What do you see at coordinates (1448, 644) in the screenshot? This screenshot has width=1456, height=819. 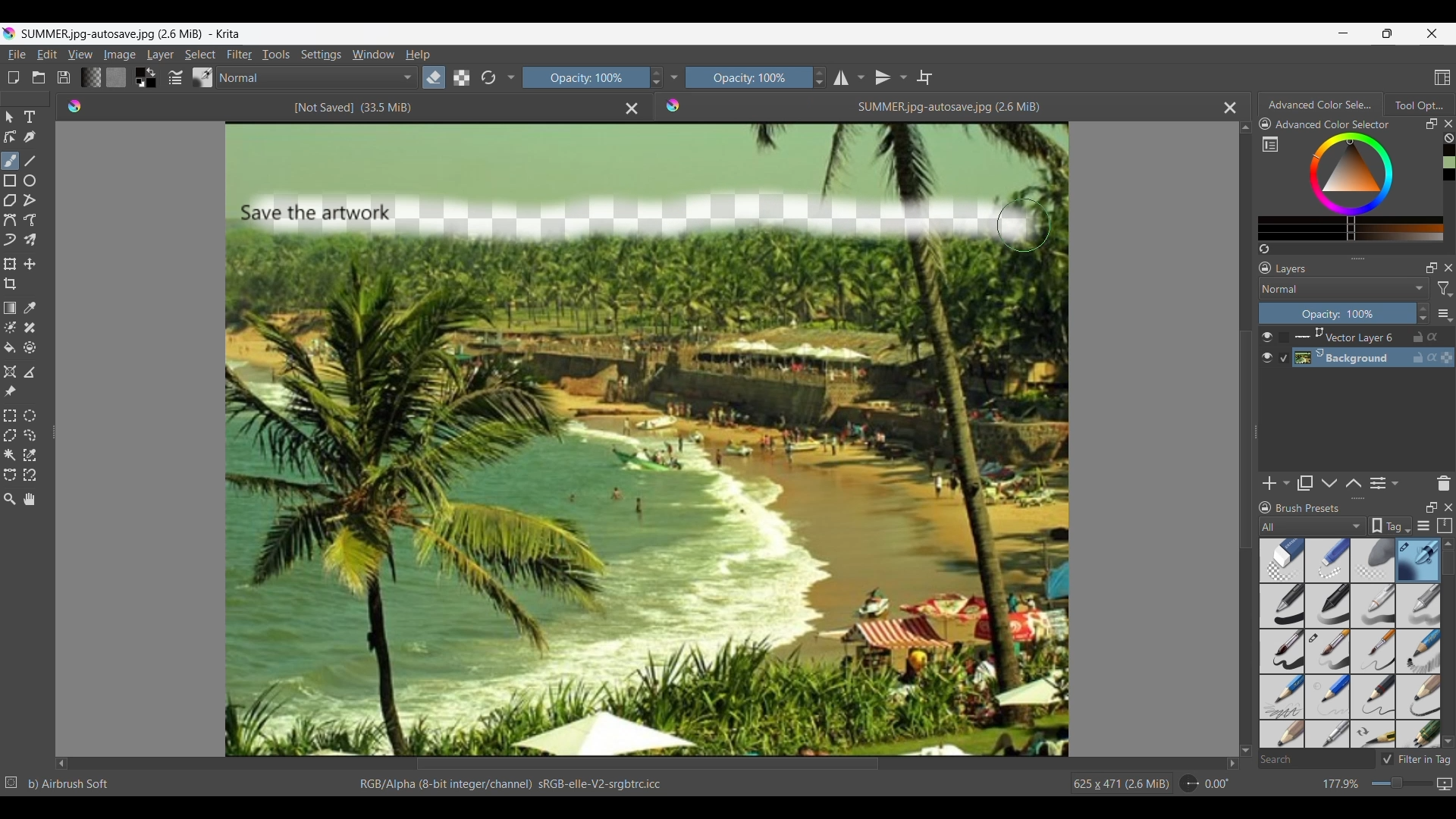 I see `Vertical slide bar for Brush presets panel` at bounding box center [1448, 644].